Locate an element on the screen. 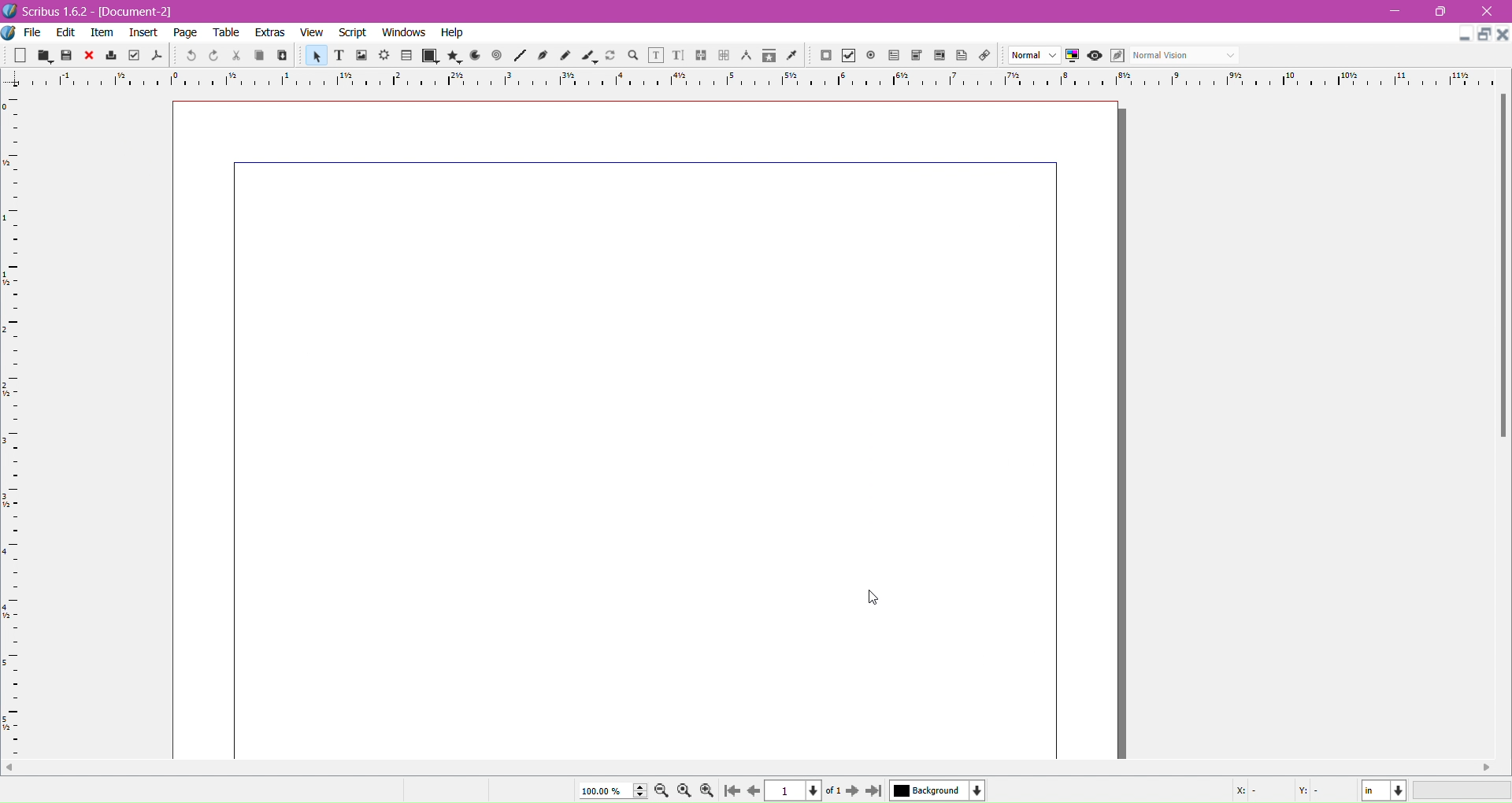 Image resolution: width=1512 pixels, height=803 pixels. icon is located at coordinates (586, 57).